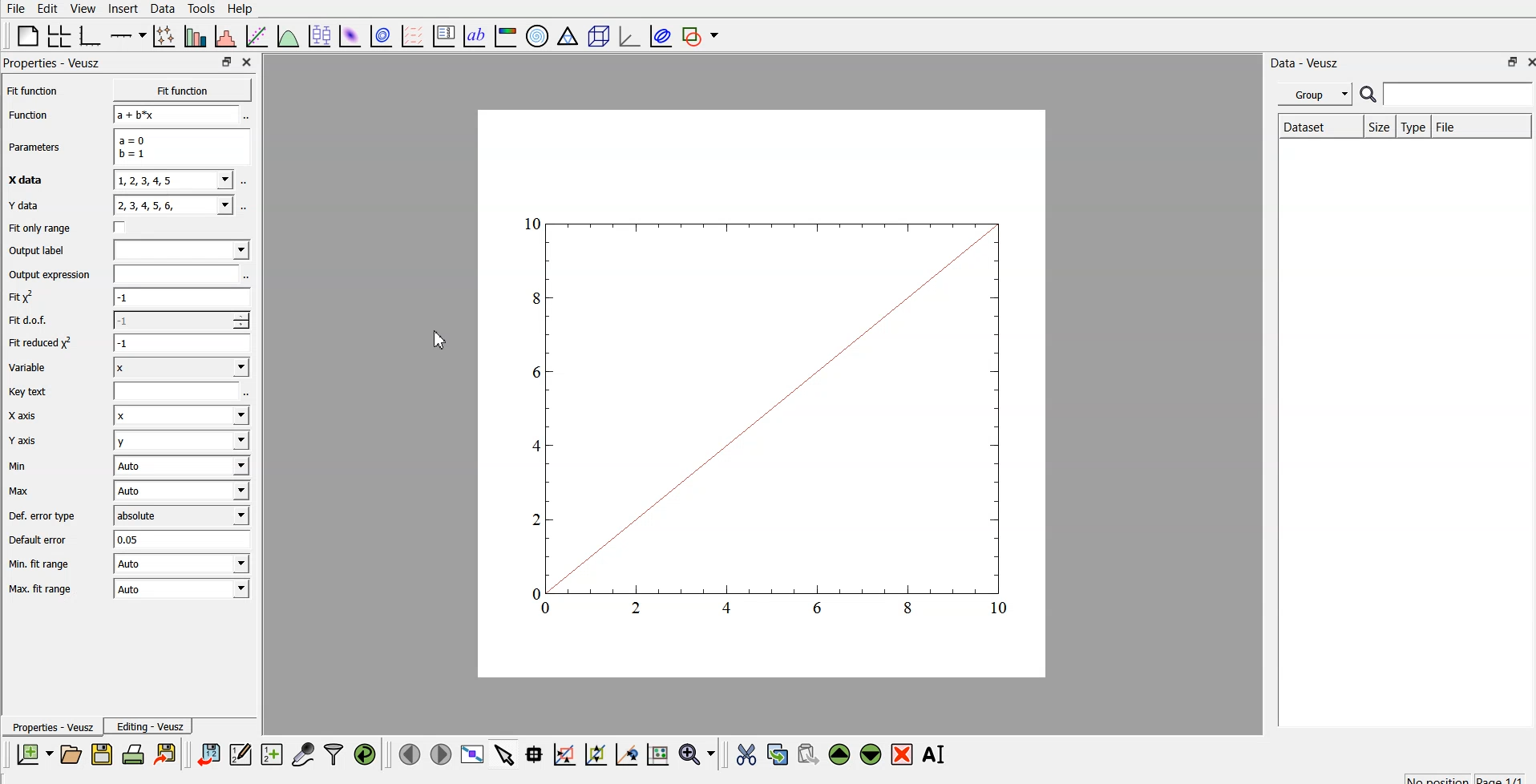  I want to click on next page, so click(440, 756).